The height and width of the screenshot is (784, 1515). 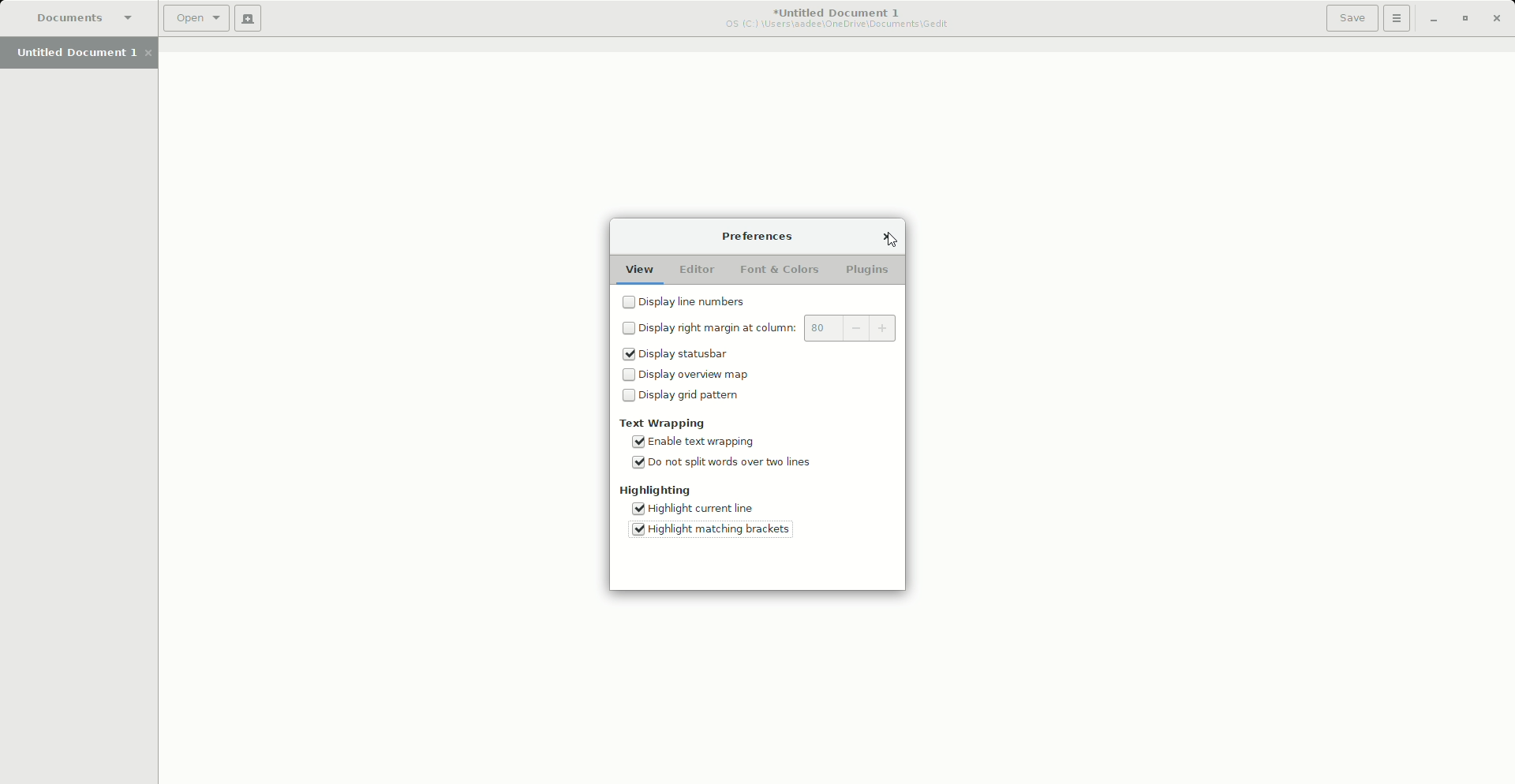 I want to click on Plugins, so click(x=867, y=271).